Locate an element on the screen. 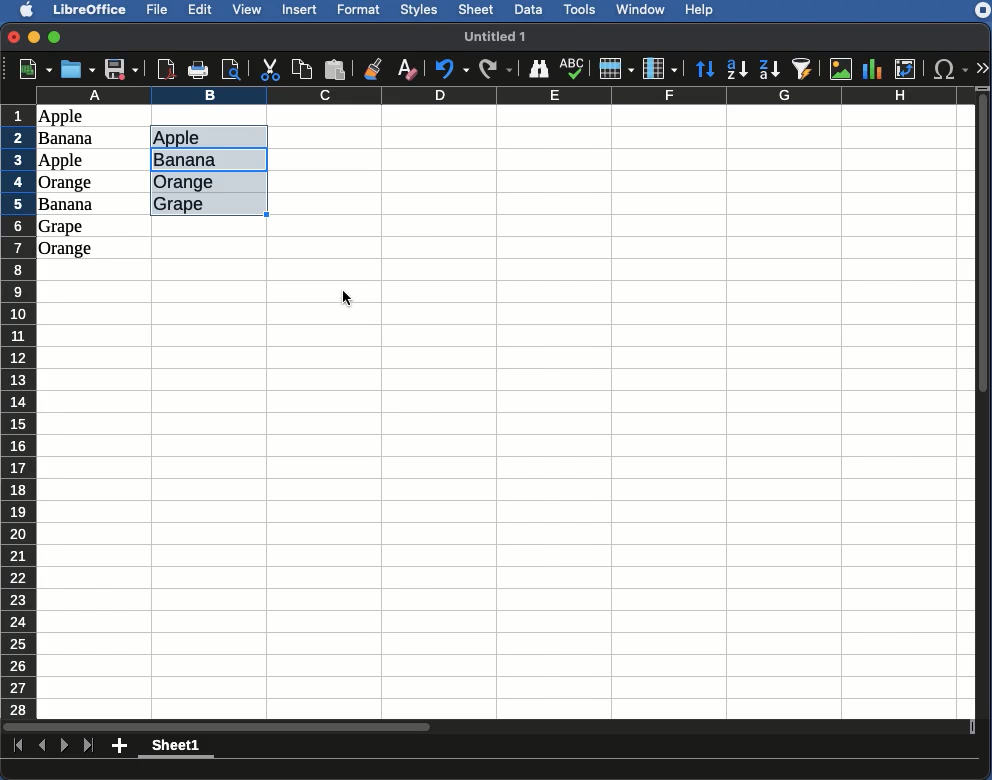 Image resolution: width=992 pixels, height=780 pixels. Sheet is located at coordinates (477, 10).